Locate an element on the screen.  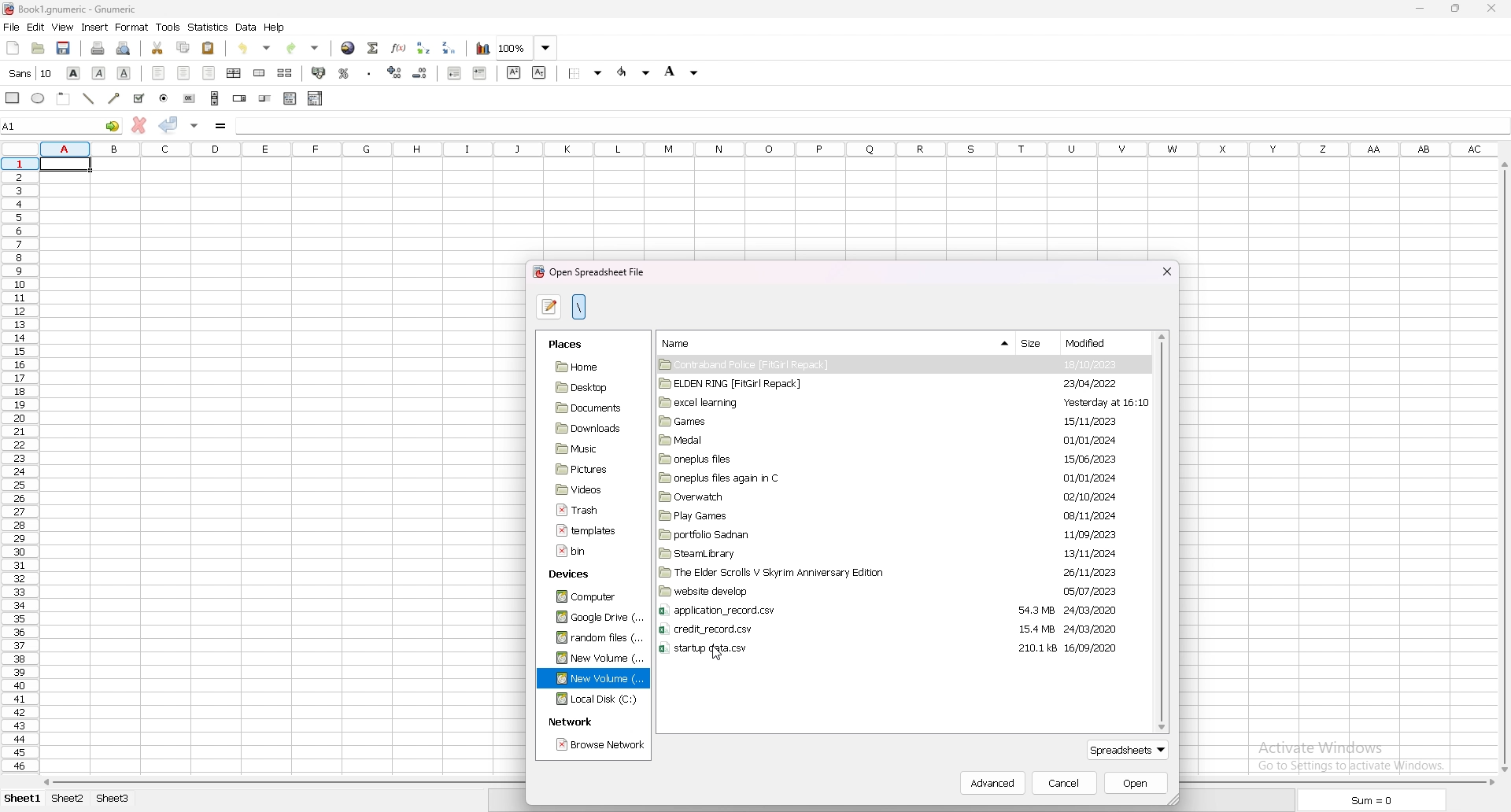
folder is located at coordinates (594, 678).